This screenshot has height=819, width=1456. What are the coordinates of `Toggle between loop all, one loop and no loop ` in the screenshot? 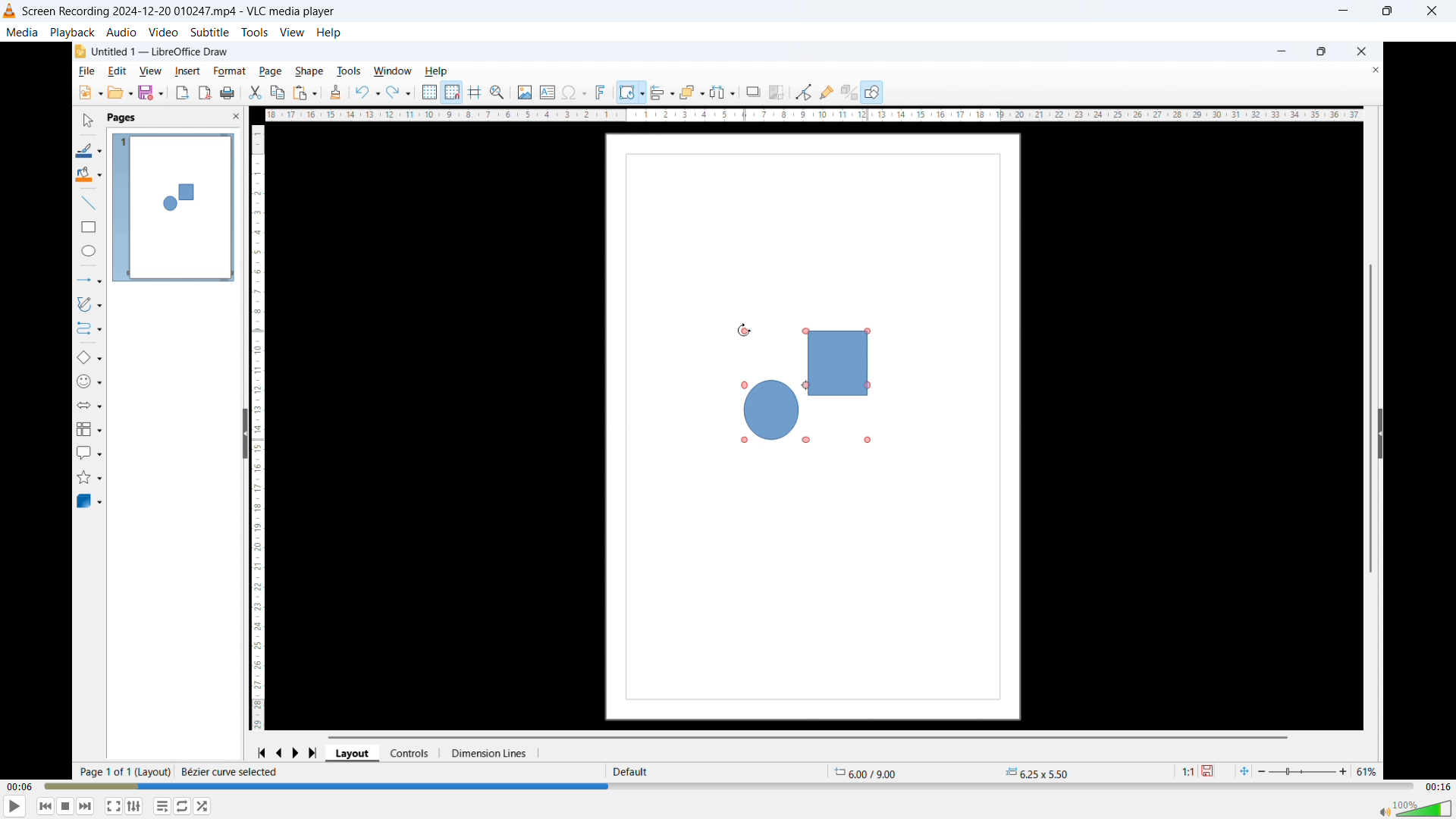 It's located at (163, 806).